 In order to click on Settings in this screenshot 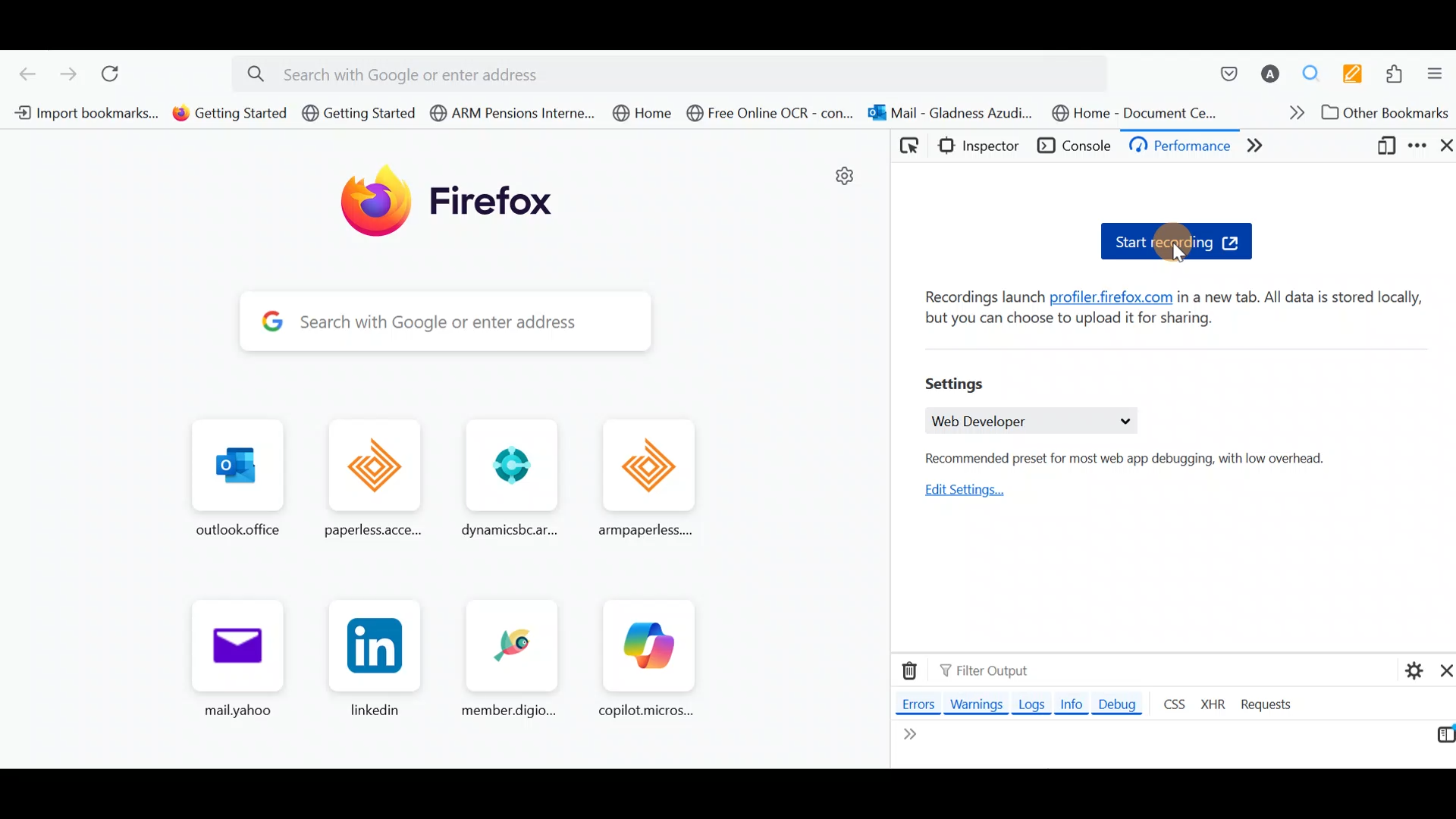, I will do `click(972, 381)`.